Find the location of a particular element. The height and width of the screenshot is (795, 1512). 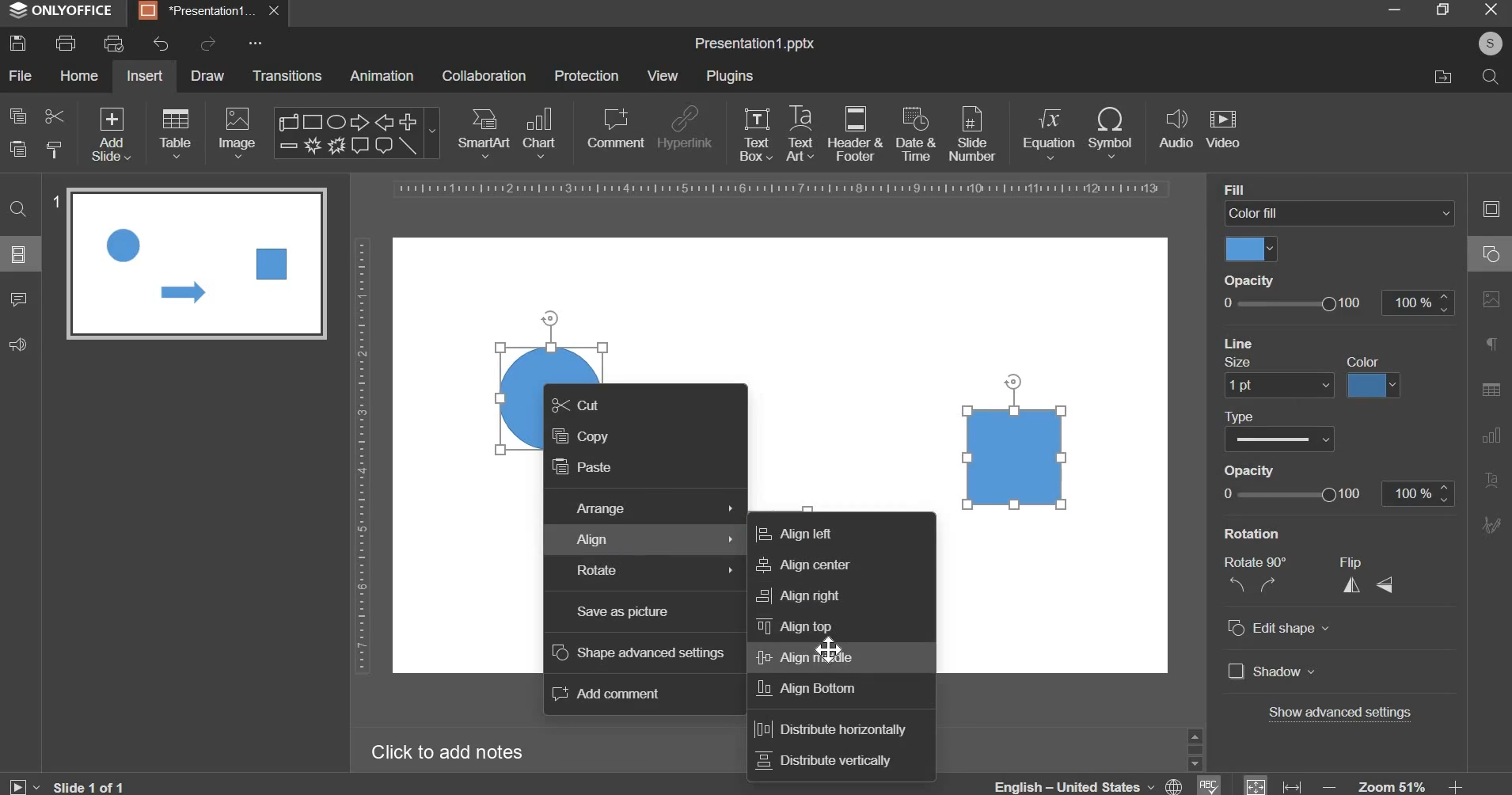

increase zoom is located at coordinates (1457, 785).